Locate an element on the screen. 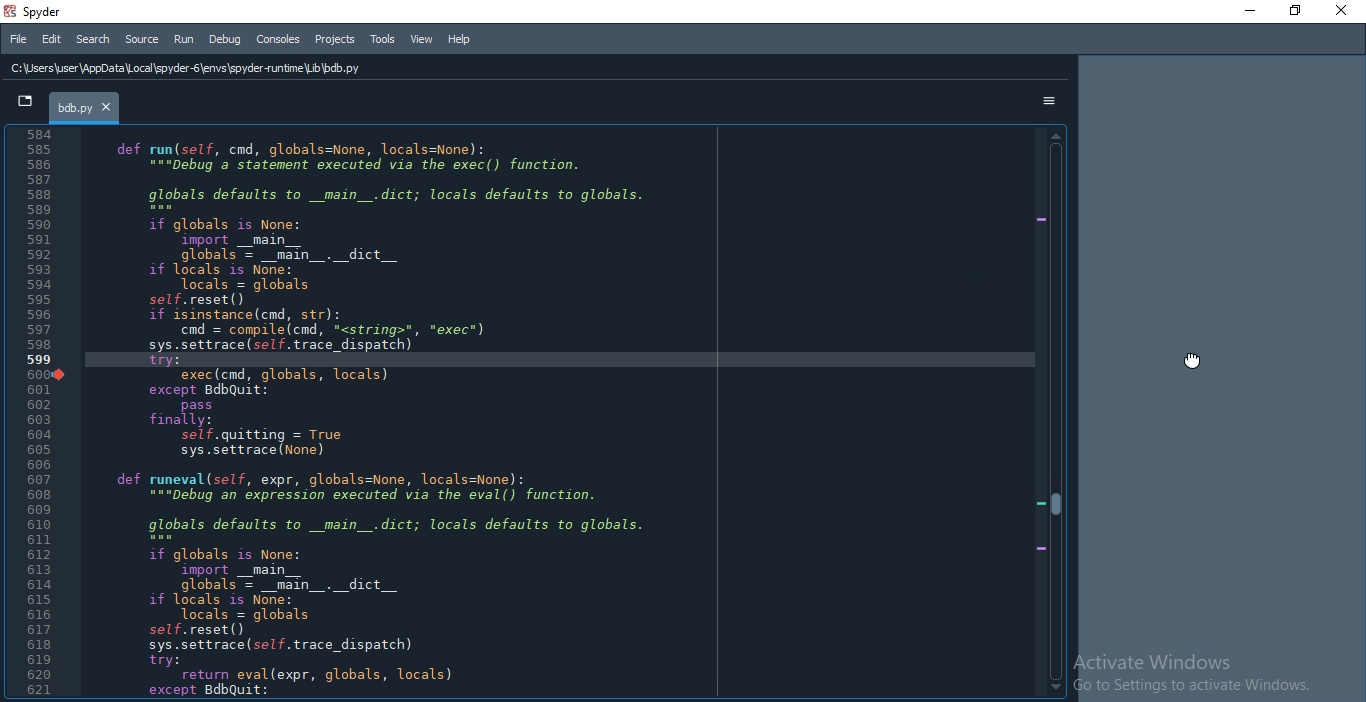  Close is located at coordinates (1345, 11).